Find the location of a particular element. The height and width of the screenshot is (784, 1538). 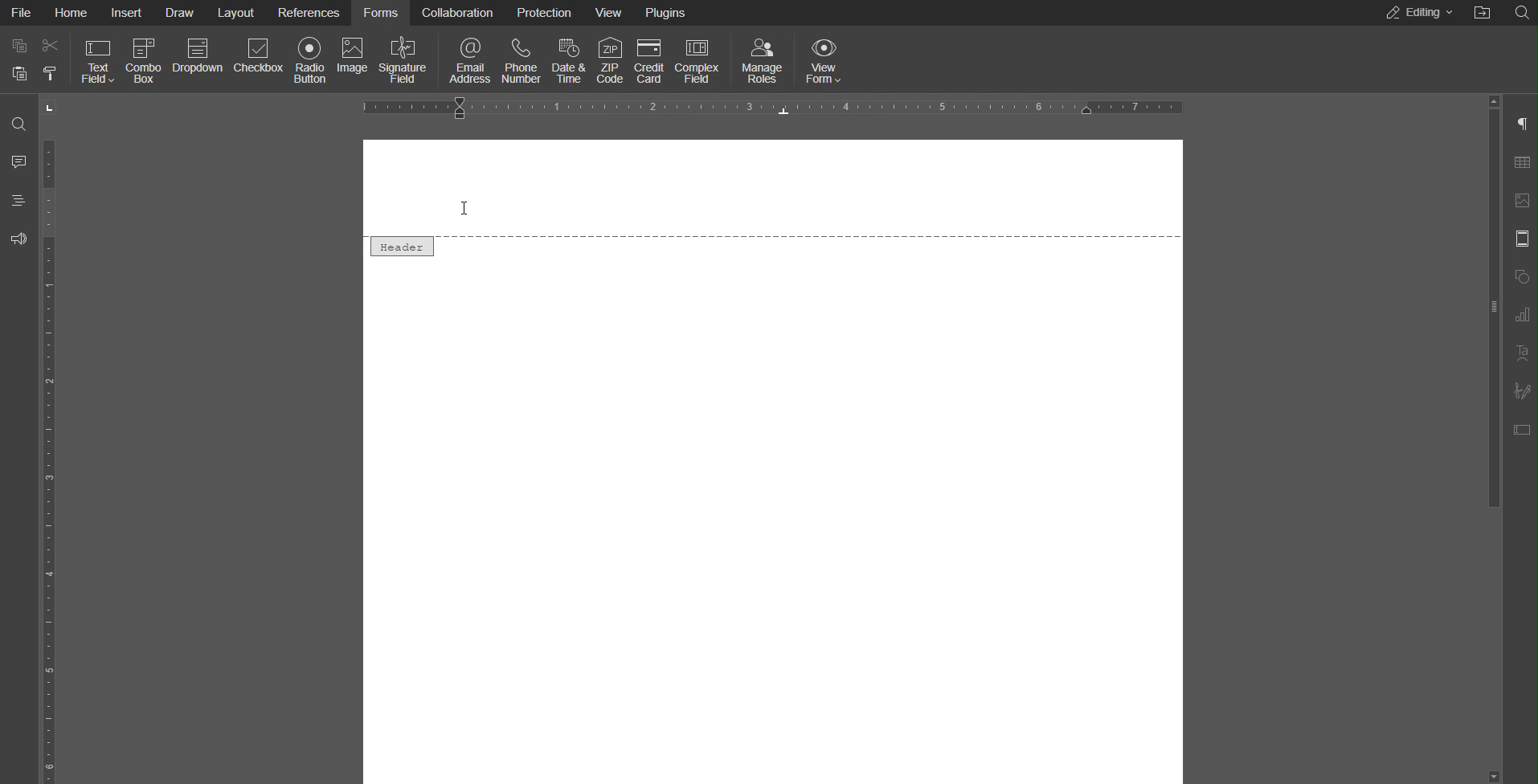

References is located at coordinates (311, 14).